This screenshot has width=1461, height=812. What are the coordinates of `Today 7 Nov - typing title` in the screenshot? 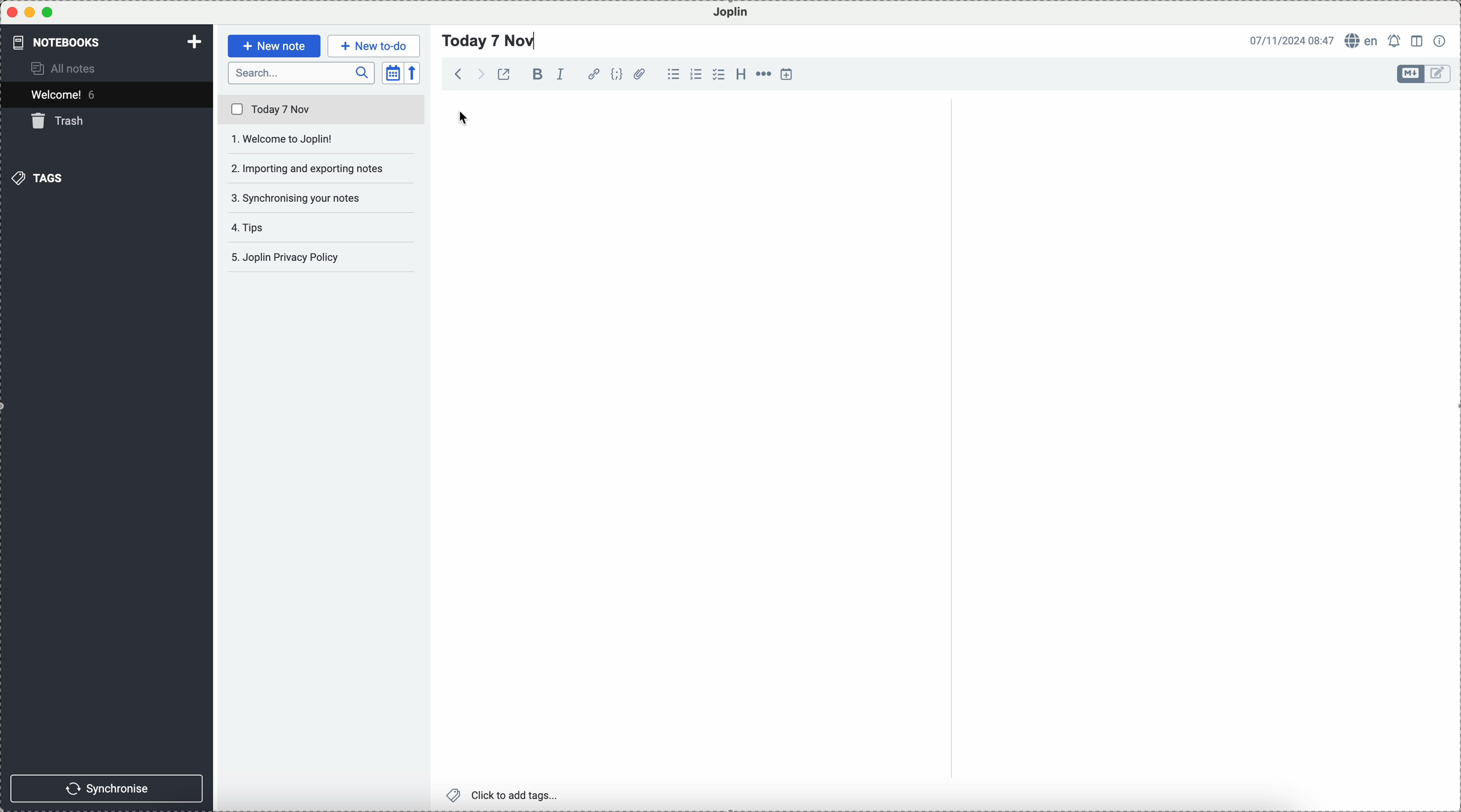 It's located at (489, 41).